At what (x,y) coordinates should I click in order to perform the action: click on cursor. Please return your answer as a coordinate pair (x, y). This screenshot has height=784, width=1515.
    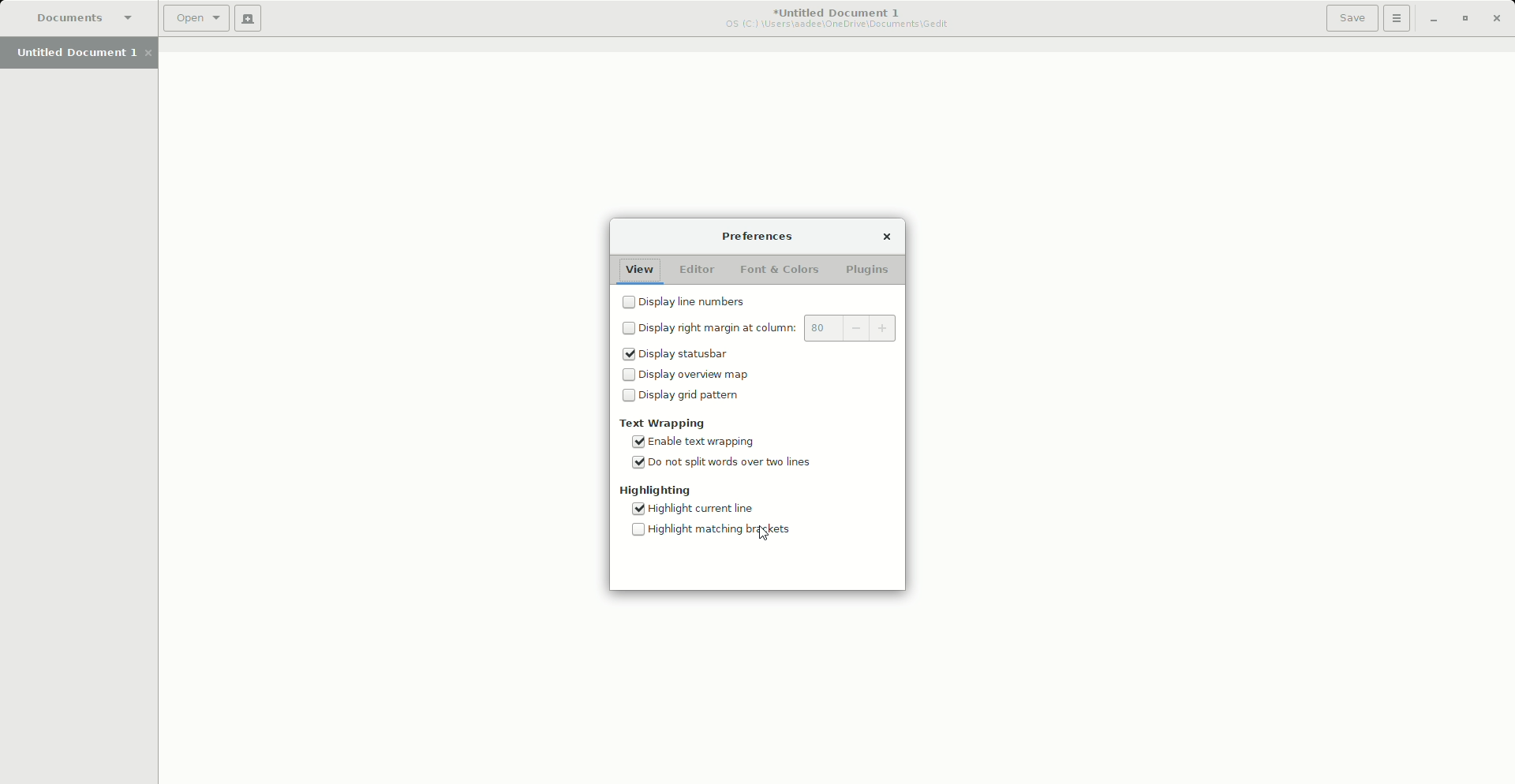
    Looking at the image, I should click on (773, 536).